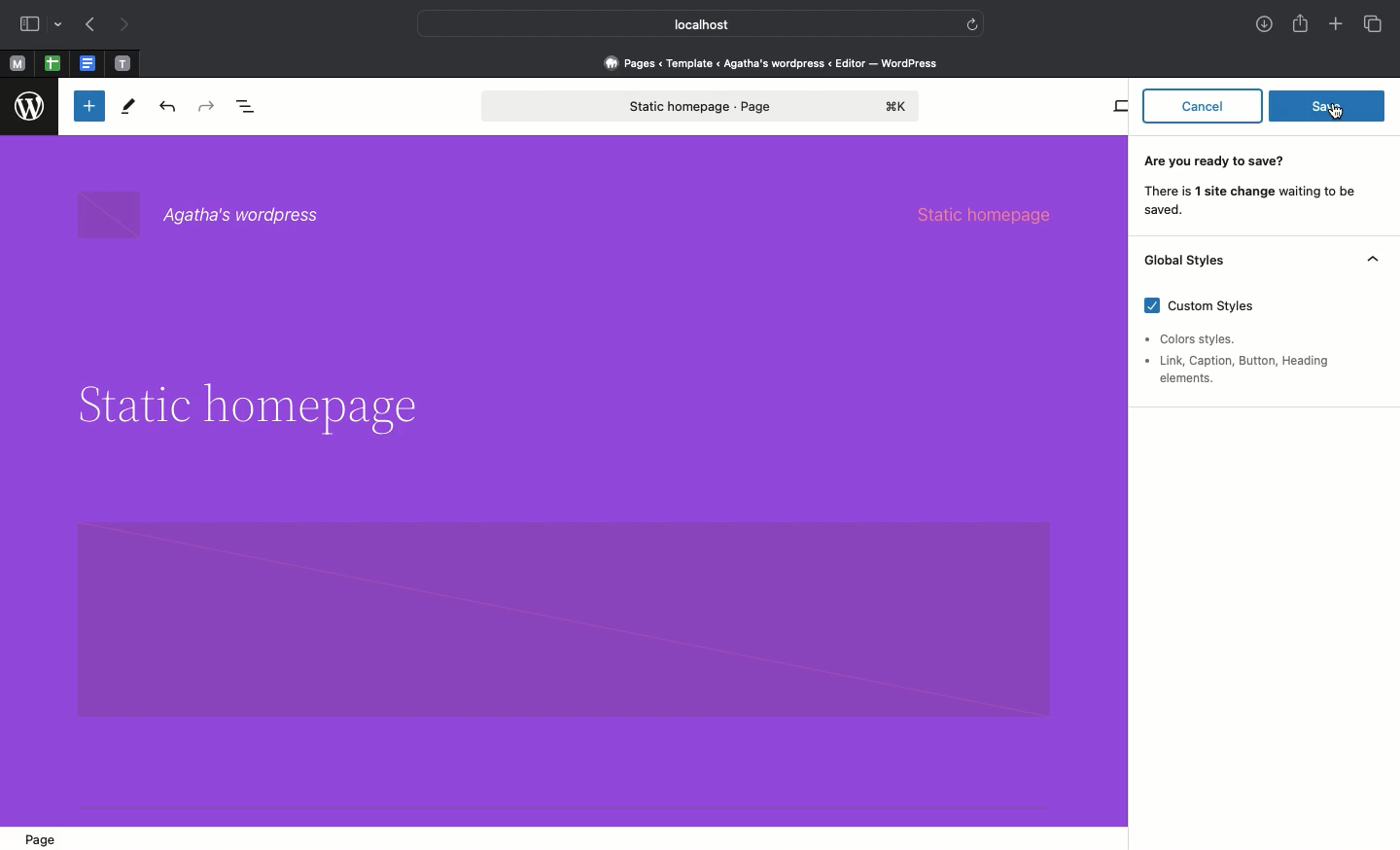 This screenshot has width=1400, height=850. What do you see at coordinates (1302, 23) in the screenshot?
I see `Share` at bounding box center [1302, 23].